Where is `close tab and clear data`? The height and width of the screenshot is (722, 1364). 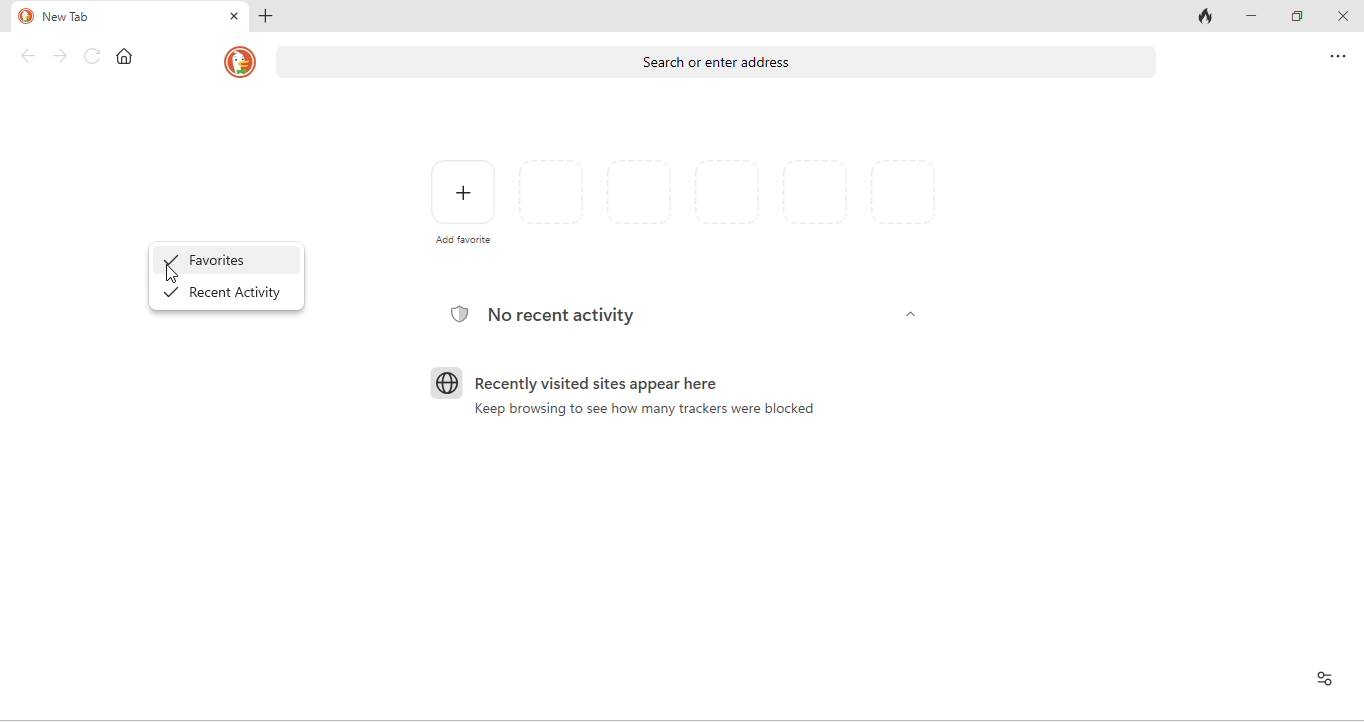 close tab and clear data is located at coordinates (1206, 18).